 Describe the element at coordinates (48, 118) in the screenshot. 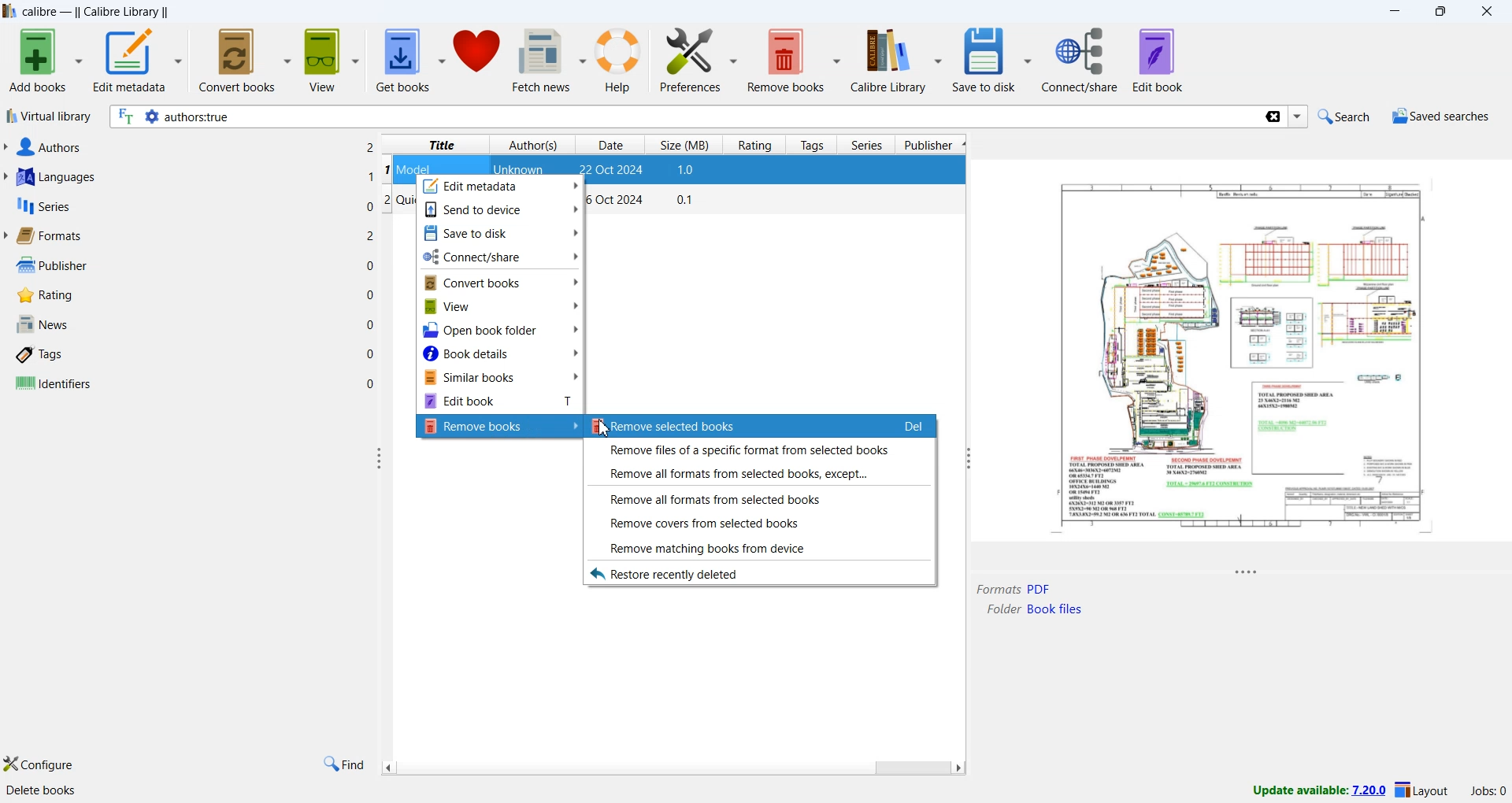

I see `virtual library` at that location.